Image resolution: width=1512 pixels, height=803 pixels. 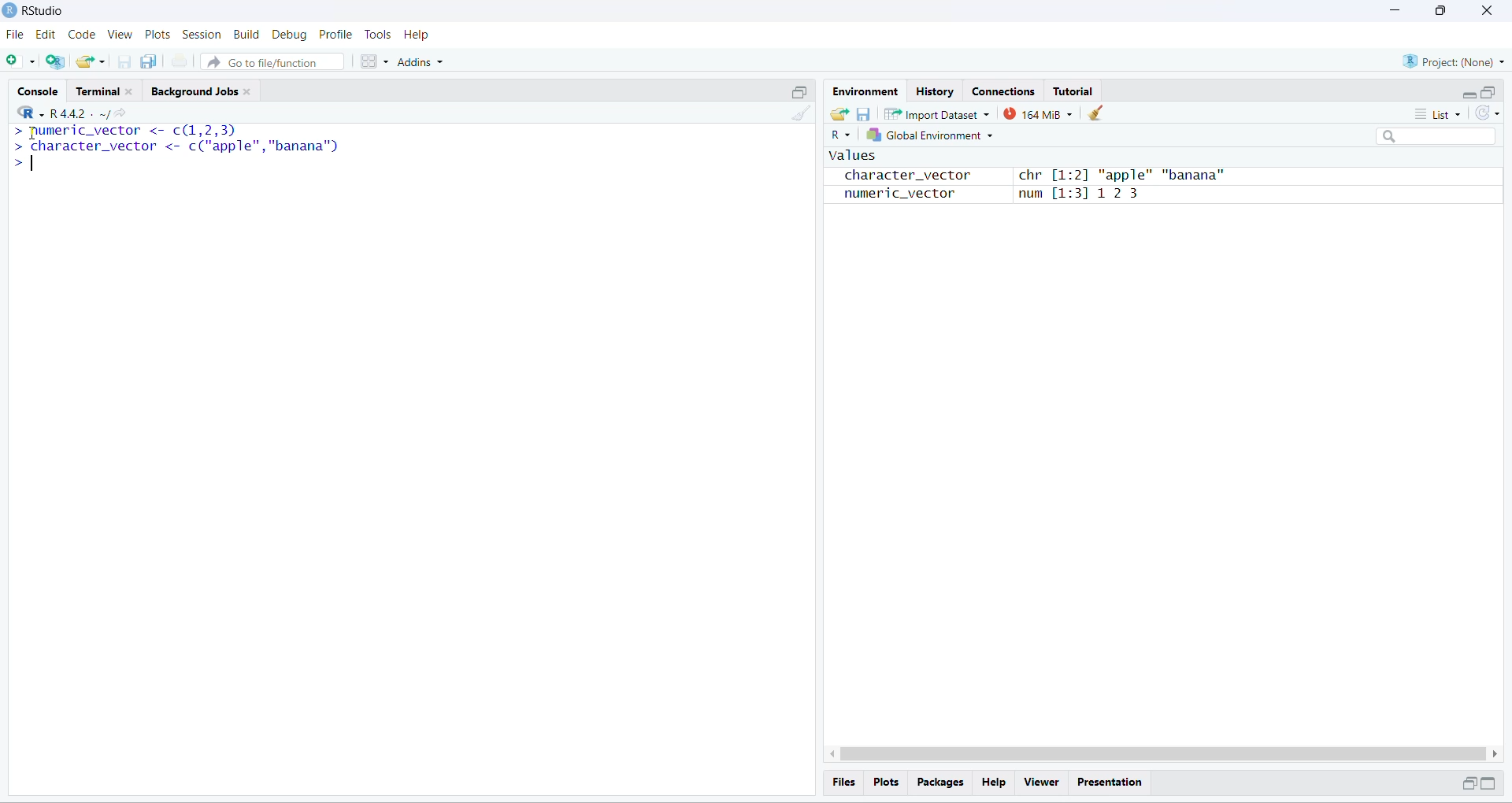 What do you see at coordinates (290, 35) in the screenshot?
I see `Debug` at bounding box center [290, 35].